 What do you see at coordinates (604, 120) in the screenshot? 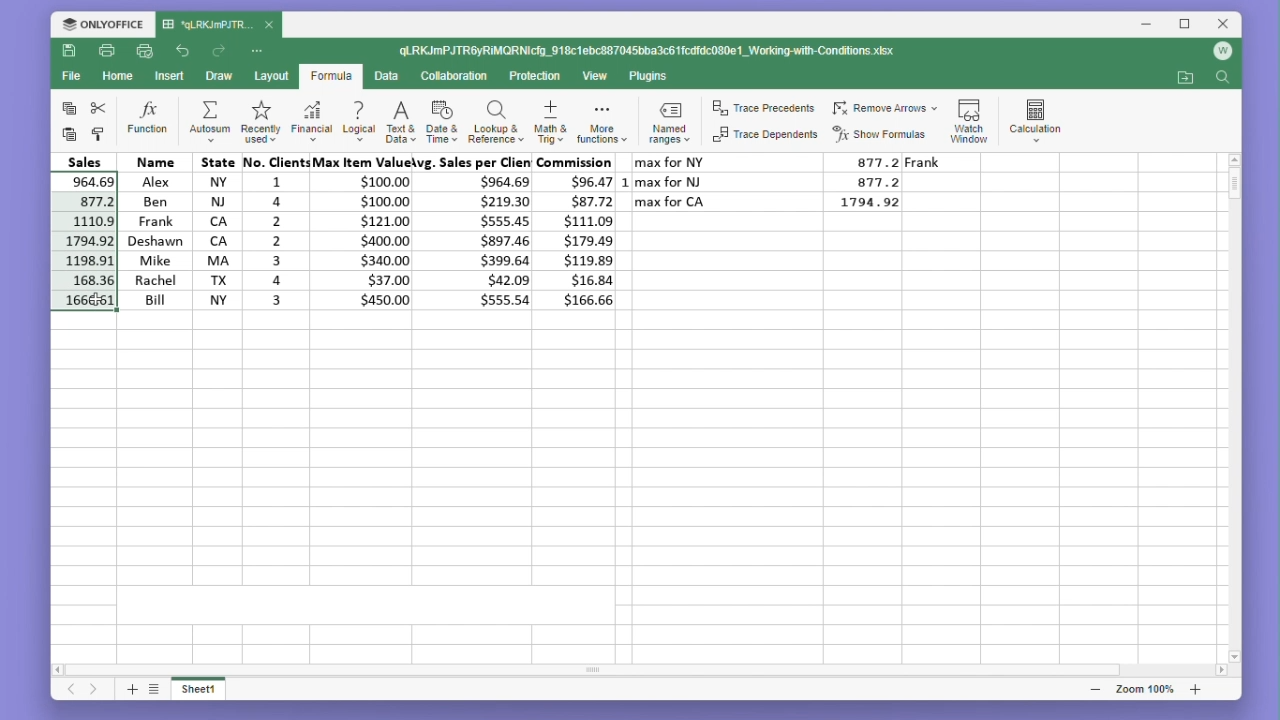
I see `More functions` at bounding box center [604, 120].